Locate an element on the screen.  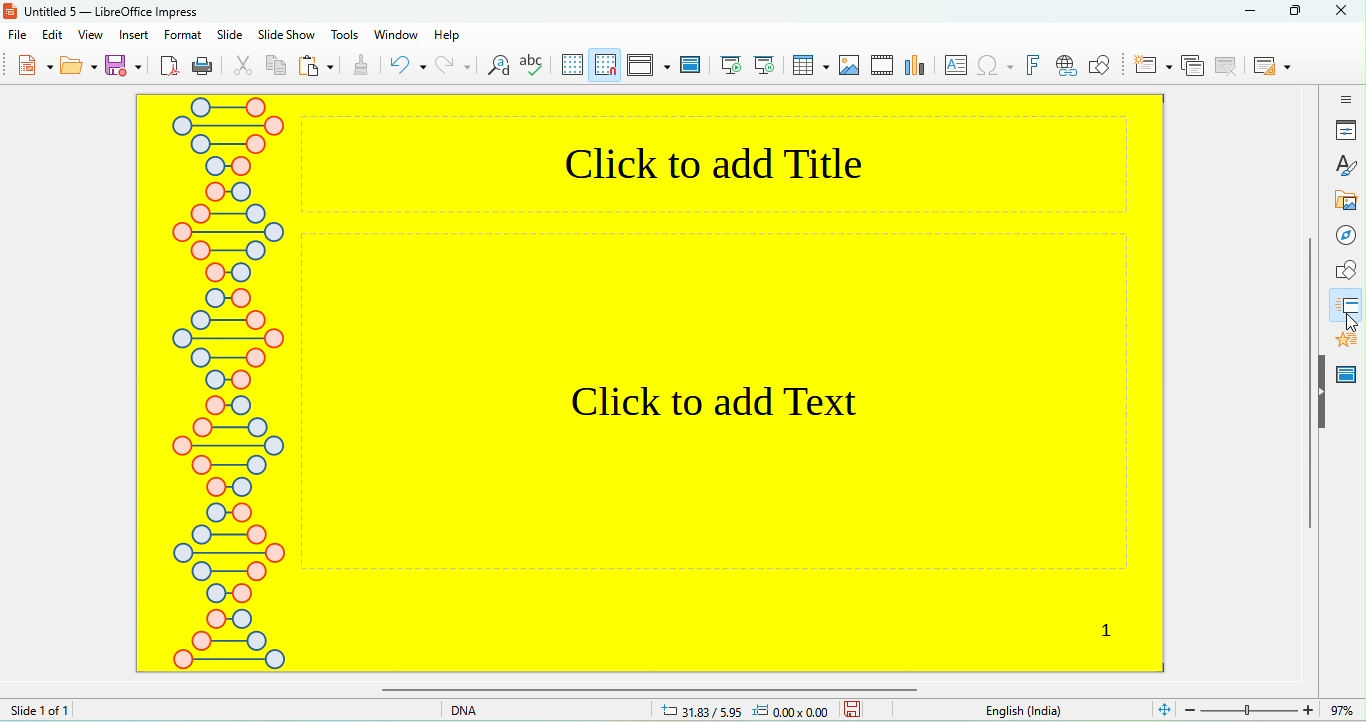
navigator is located at coordinates (1343, 234).